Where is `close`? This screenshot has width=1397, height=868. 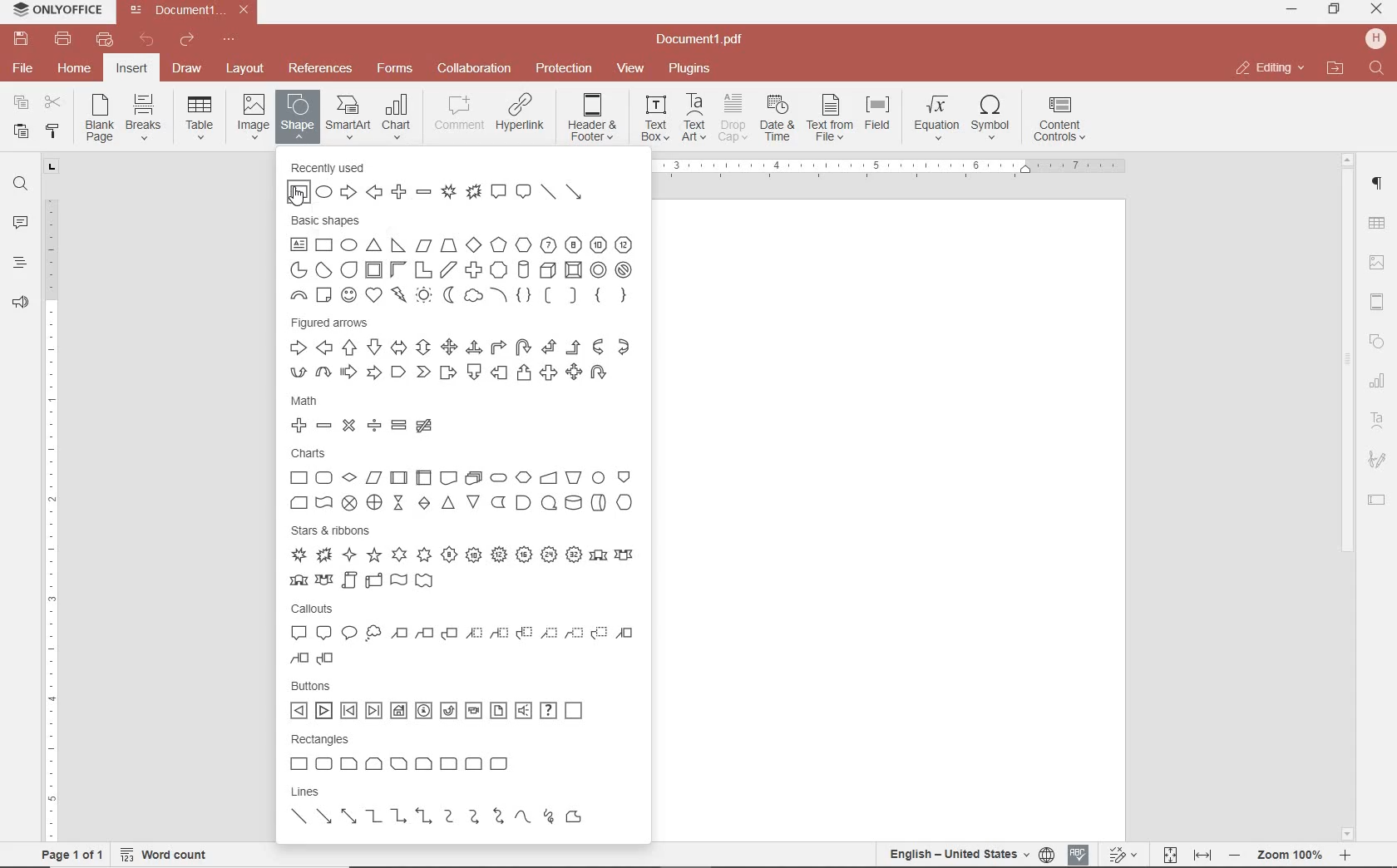
close is located at coordinates (1269, 68).